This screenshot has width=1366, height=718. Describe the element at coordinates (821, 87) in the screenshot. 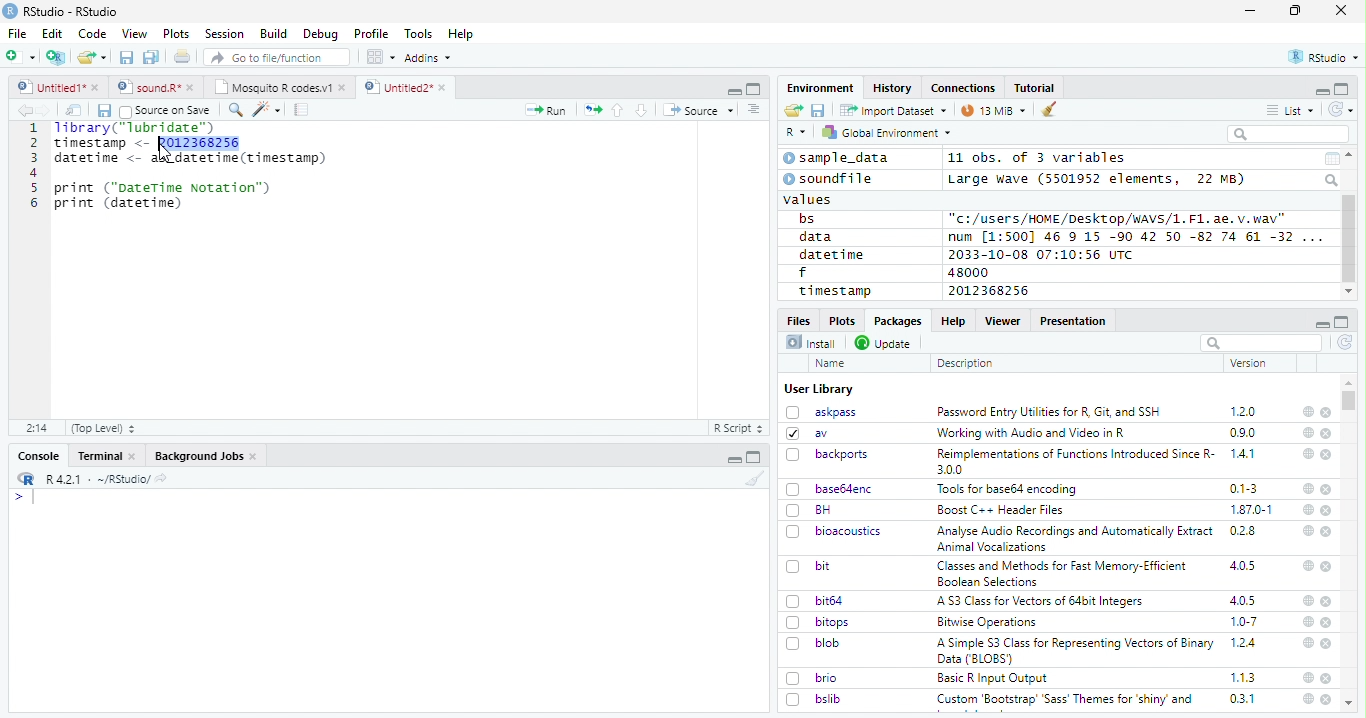

I see `Environment` at that location.